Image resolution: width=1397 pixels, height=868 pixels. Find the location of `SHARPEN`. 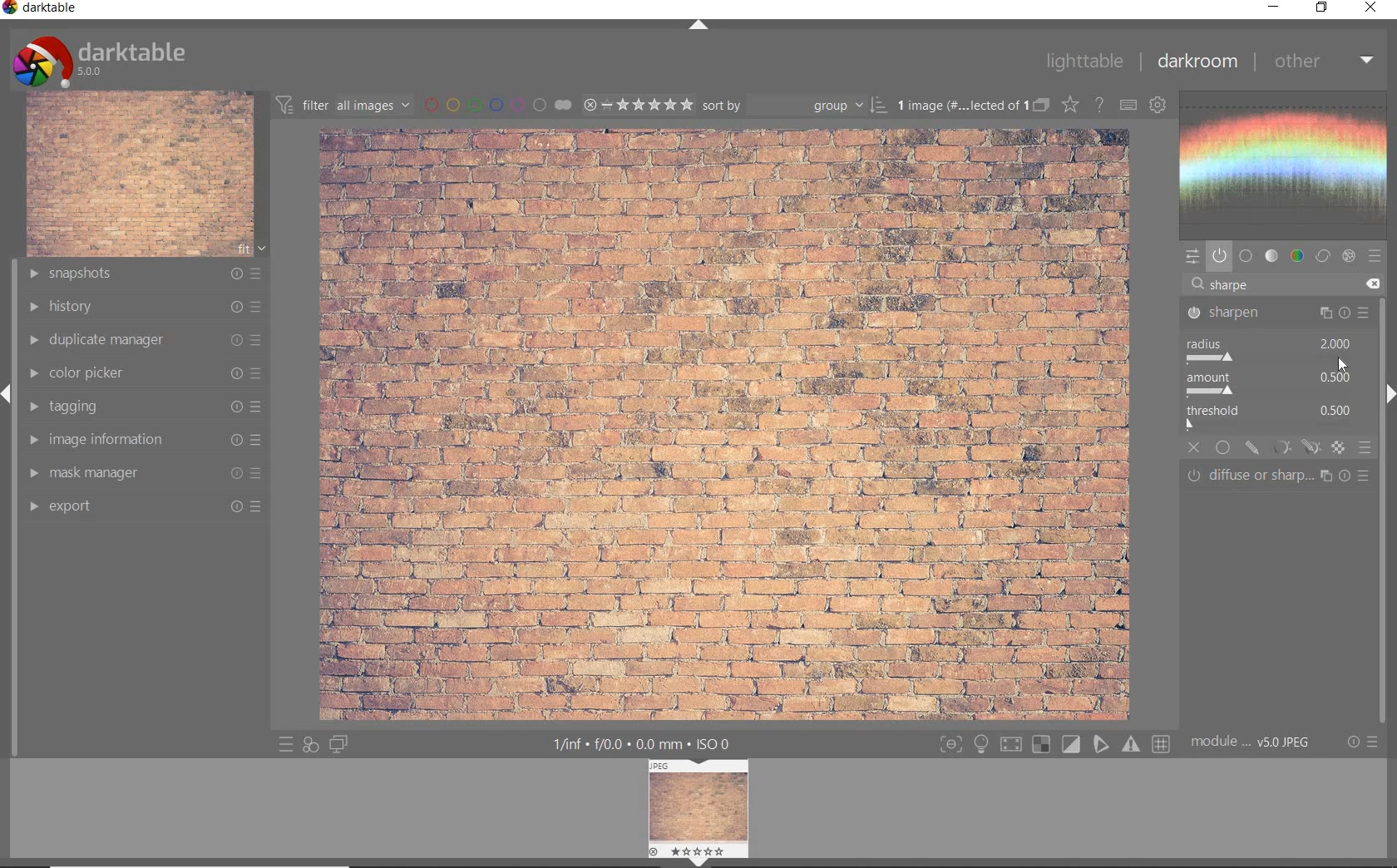

SHARPEN is located at coordinates (1276, 313).